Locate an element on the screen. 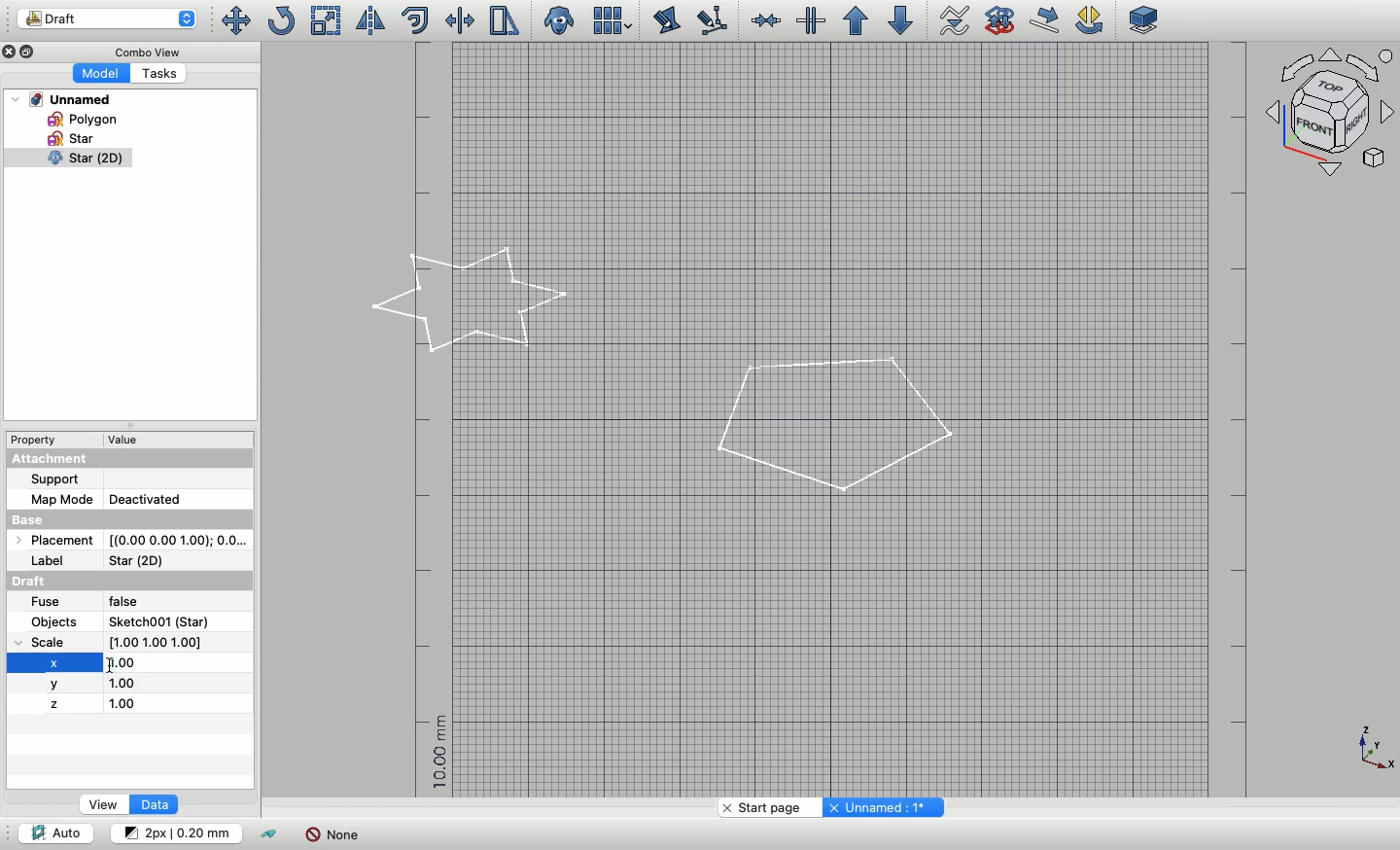 This screenshot has width=1400, height=850. Close clone is located at coordinates (561, 21).